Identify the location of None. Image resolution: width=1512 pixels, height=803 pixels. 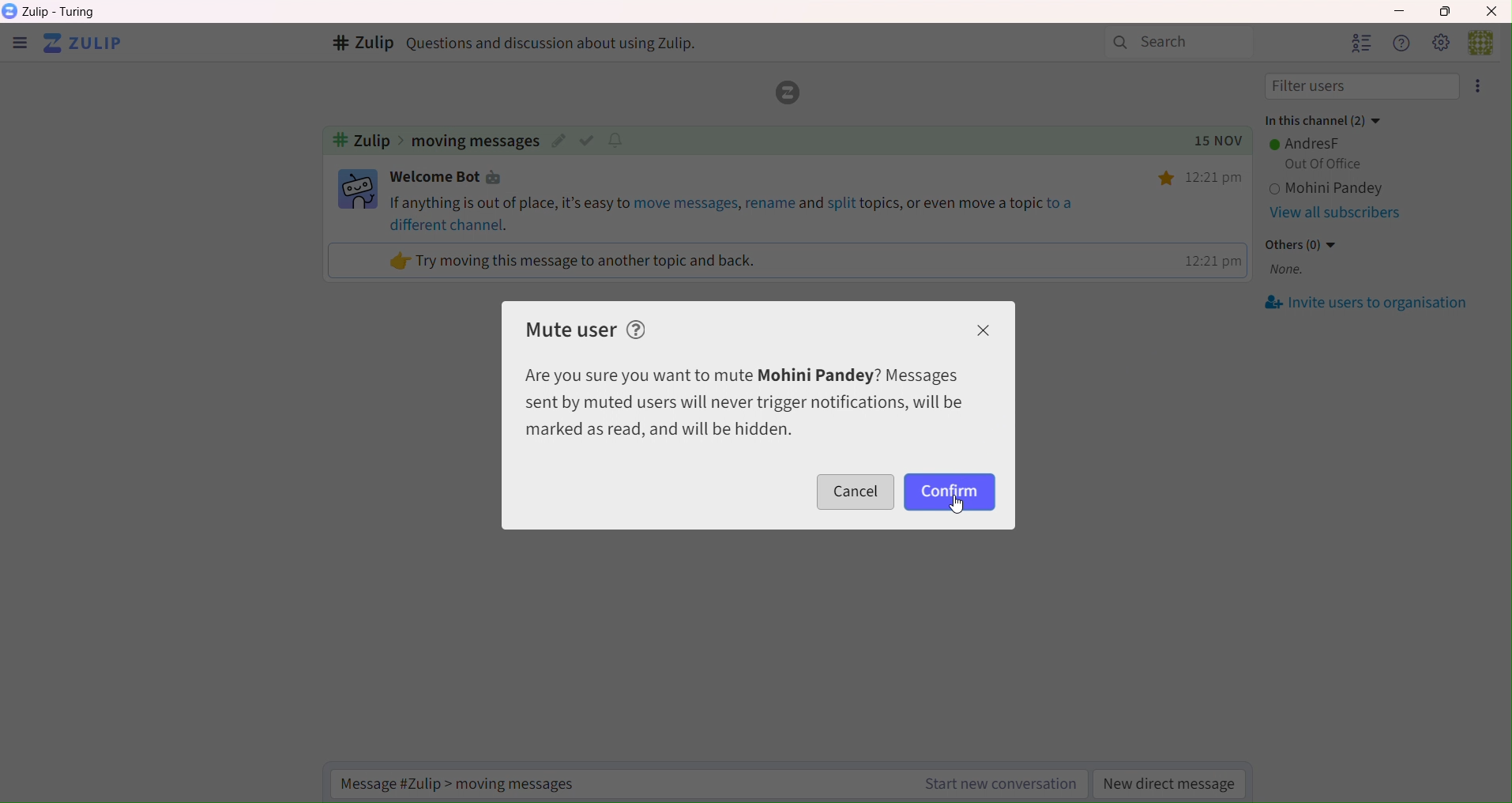
(1287, 271).